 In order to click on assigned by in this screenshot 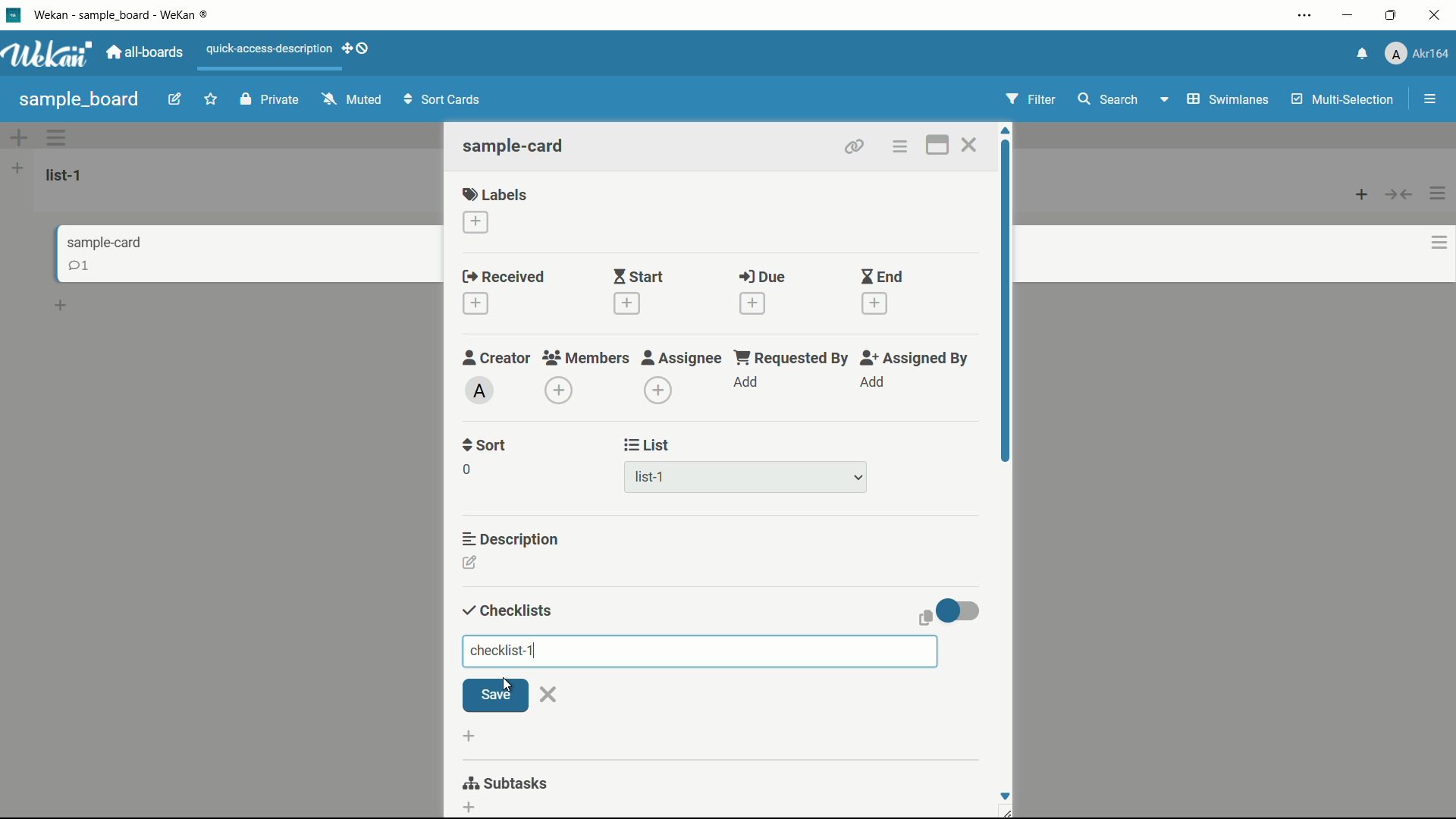, I will do `click(913, 359)`.